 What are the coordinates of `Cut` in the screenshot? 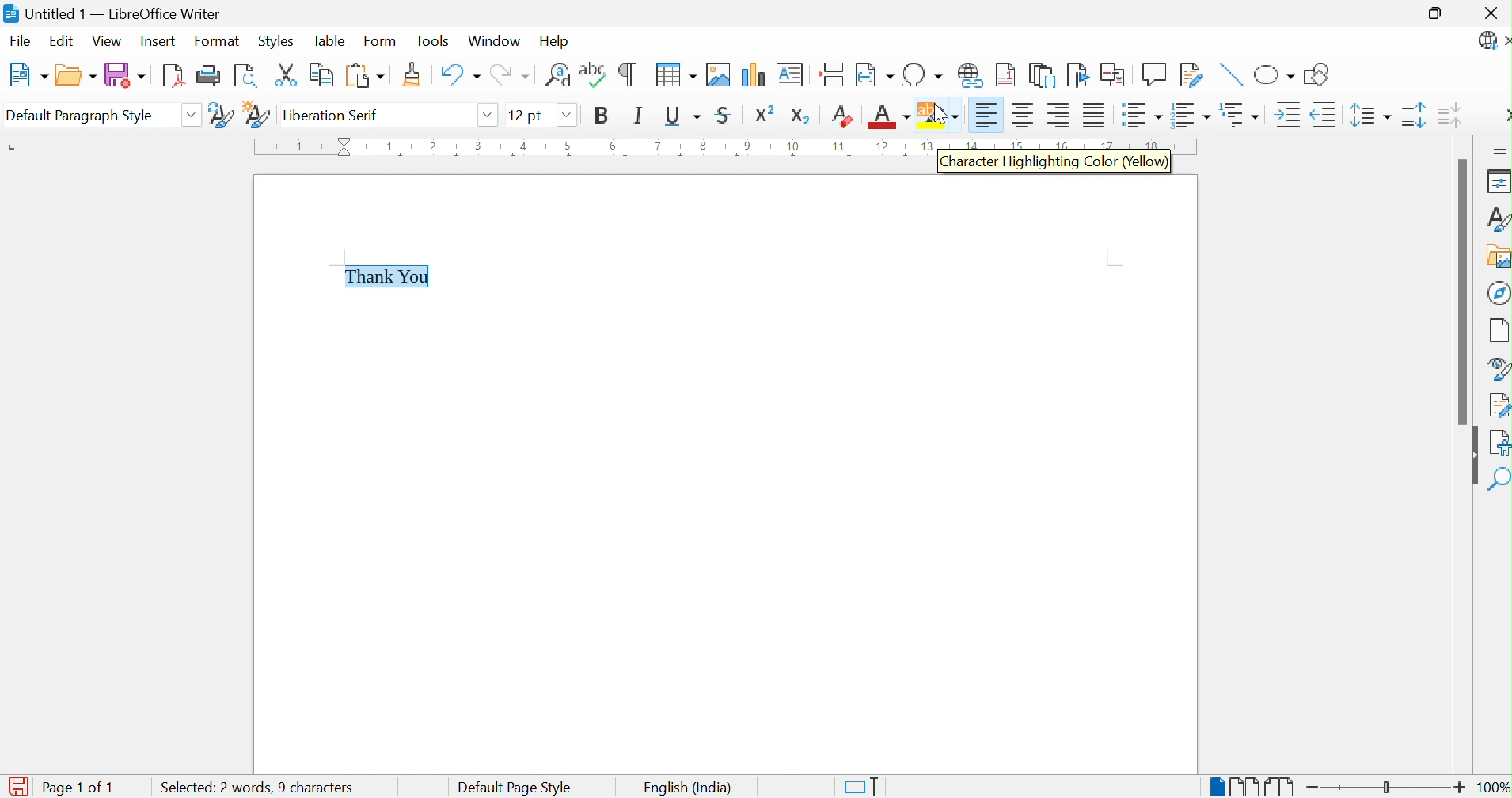 It's located at (284, 74).